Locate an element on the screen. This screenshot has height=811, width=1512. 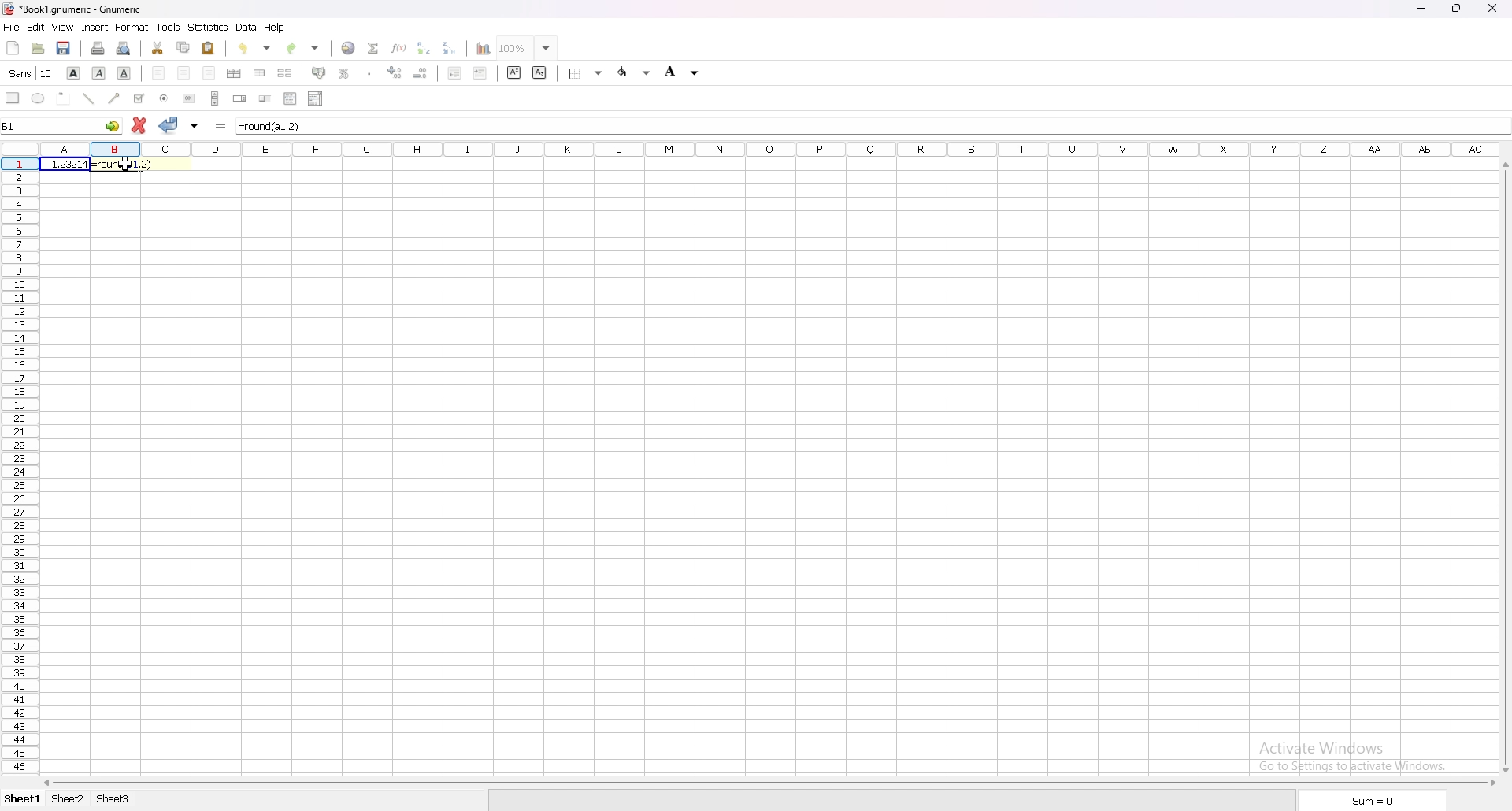
line is located at coordinates (88, 98).